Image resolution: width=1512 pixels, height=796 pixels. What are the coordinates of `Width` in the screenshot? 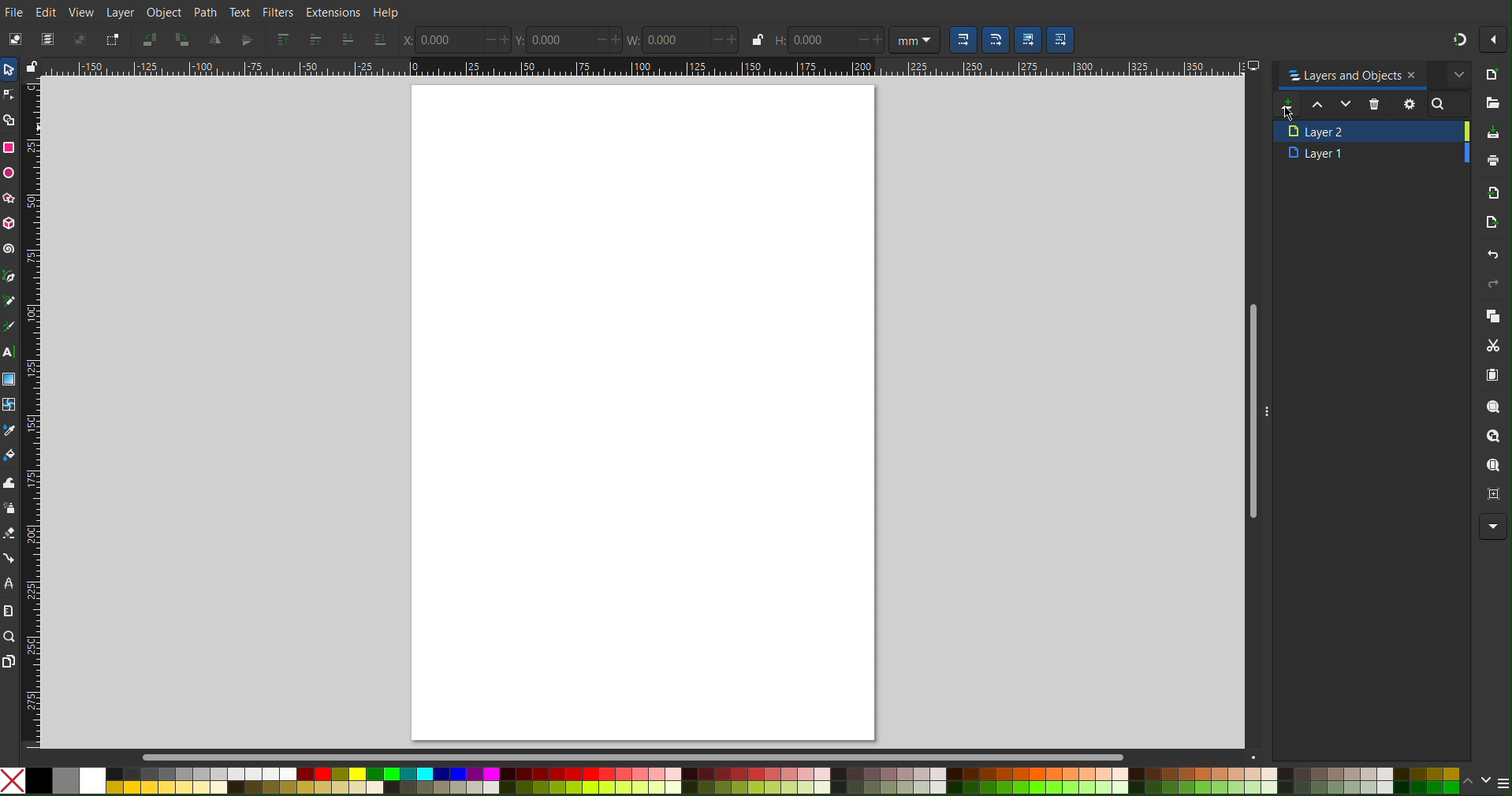 It's located at (686, 41).